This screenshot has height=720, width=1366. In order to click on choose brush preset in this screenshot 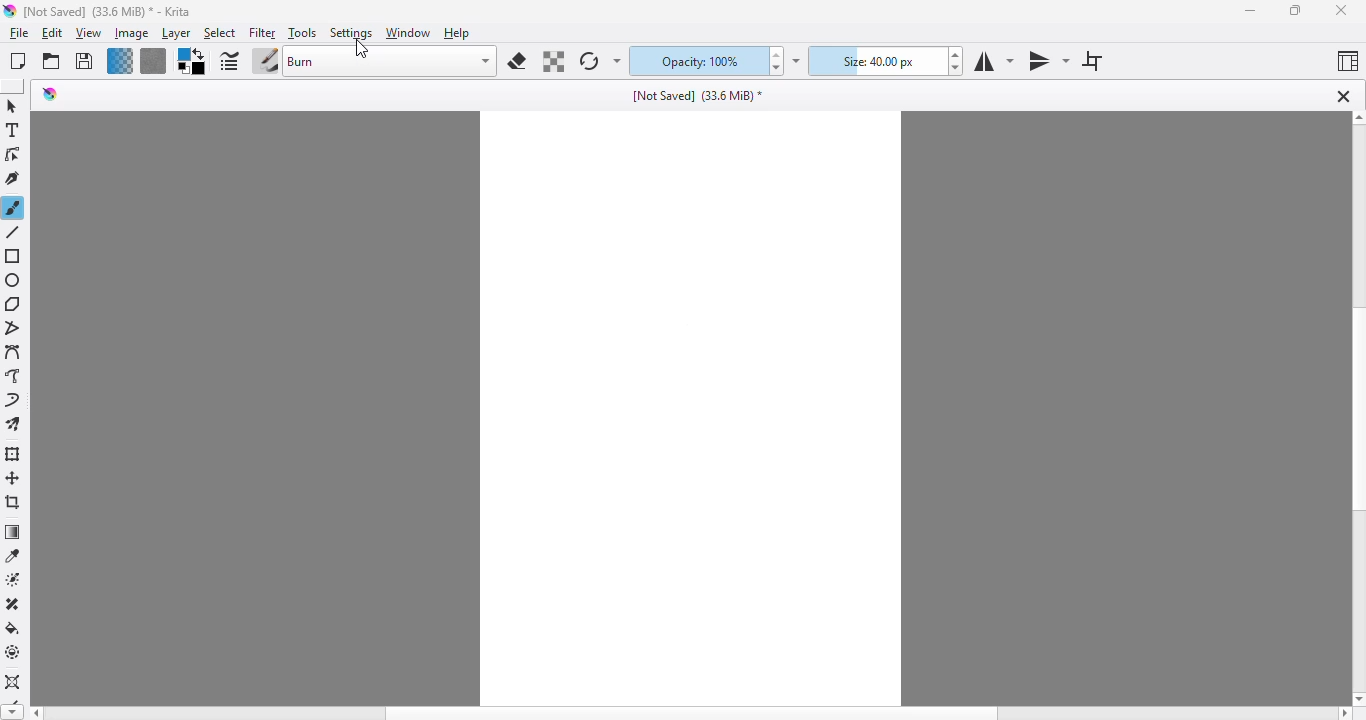, I will do `click(265, 62)`.